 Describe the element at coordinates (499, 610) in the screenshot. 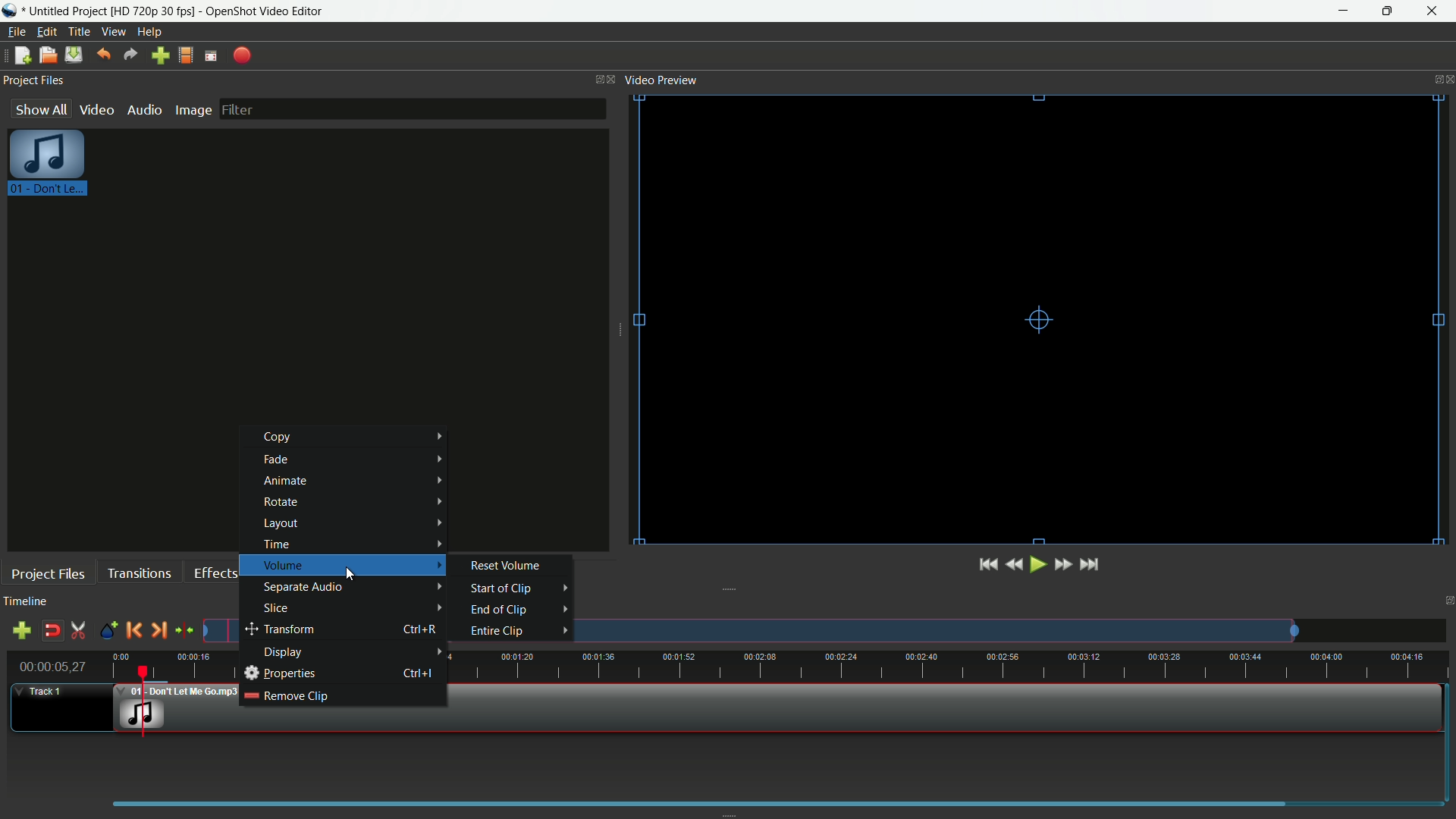

I see `end of clip` at that location.